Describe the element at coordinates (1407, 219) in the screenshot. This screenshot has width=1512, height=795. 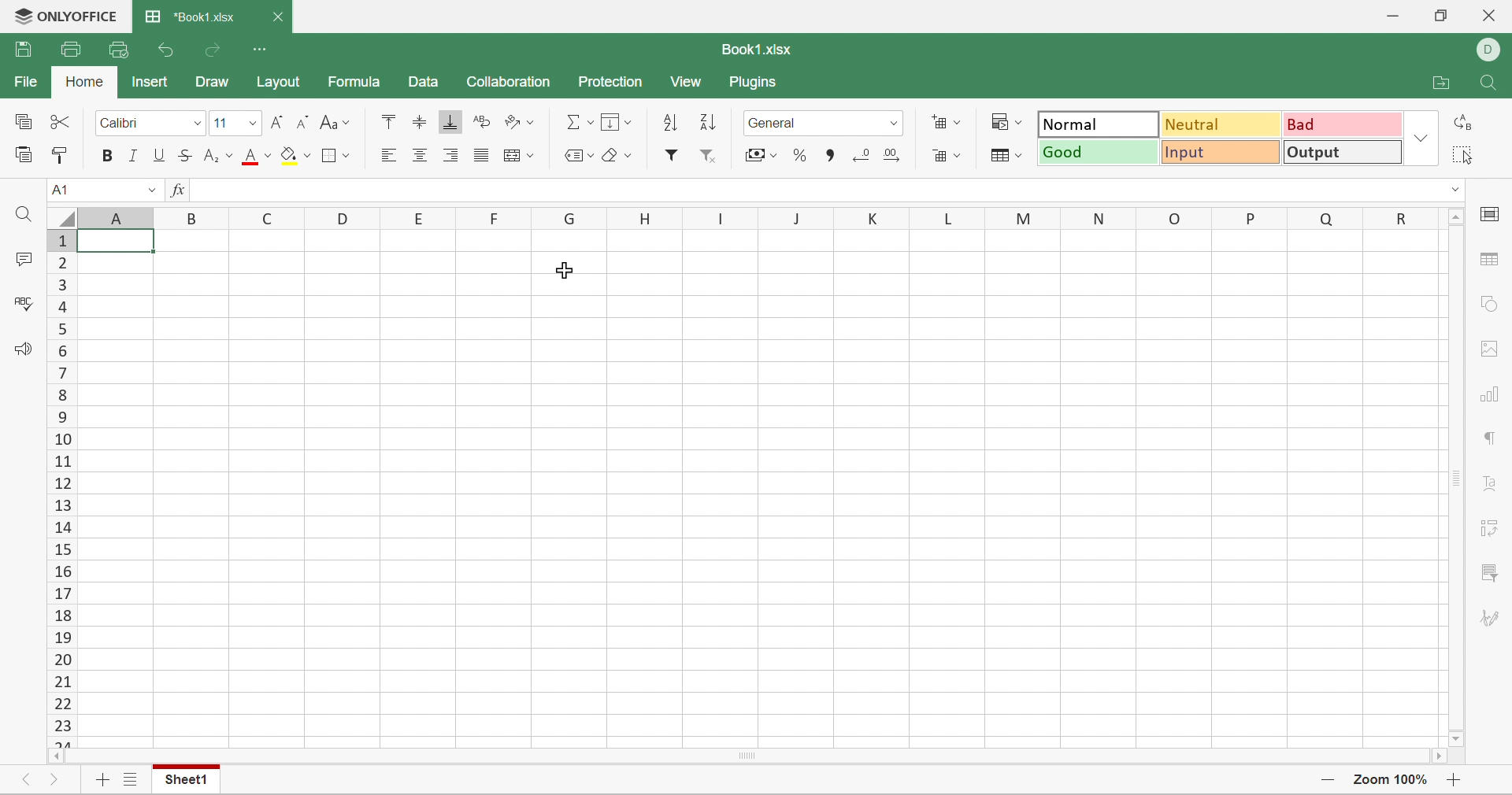
I see `R` at that location.